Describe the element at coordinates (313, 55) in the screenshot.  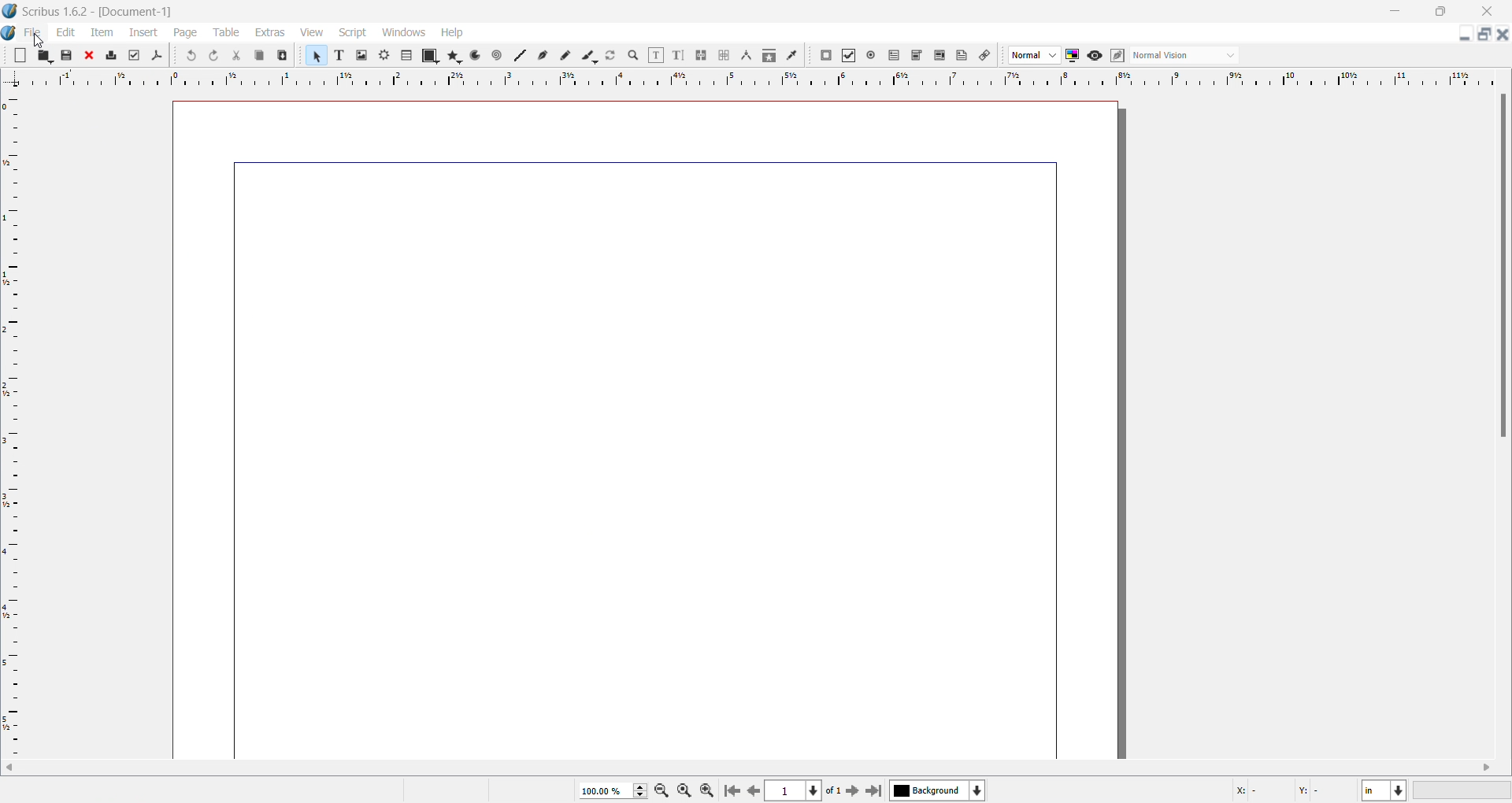
I see `select` at that location.